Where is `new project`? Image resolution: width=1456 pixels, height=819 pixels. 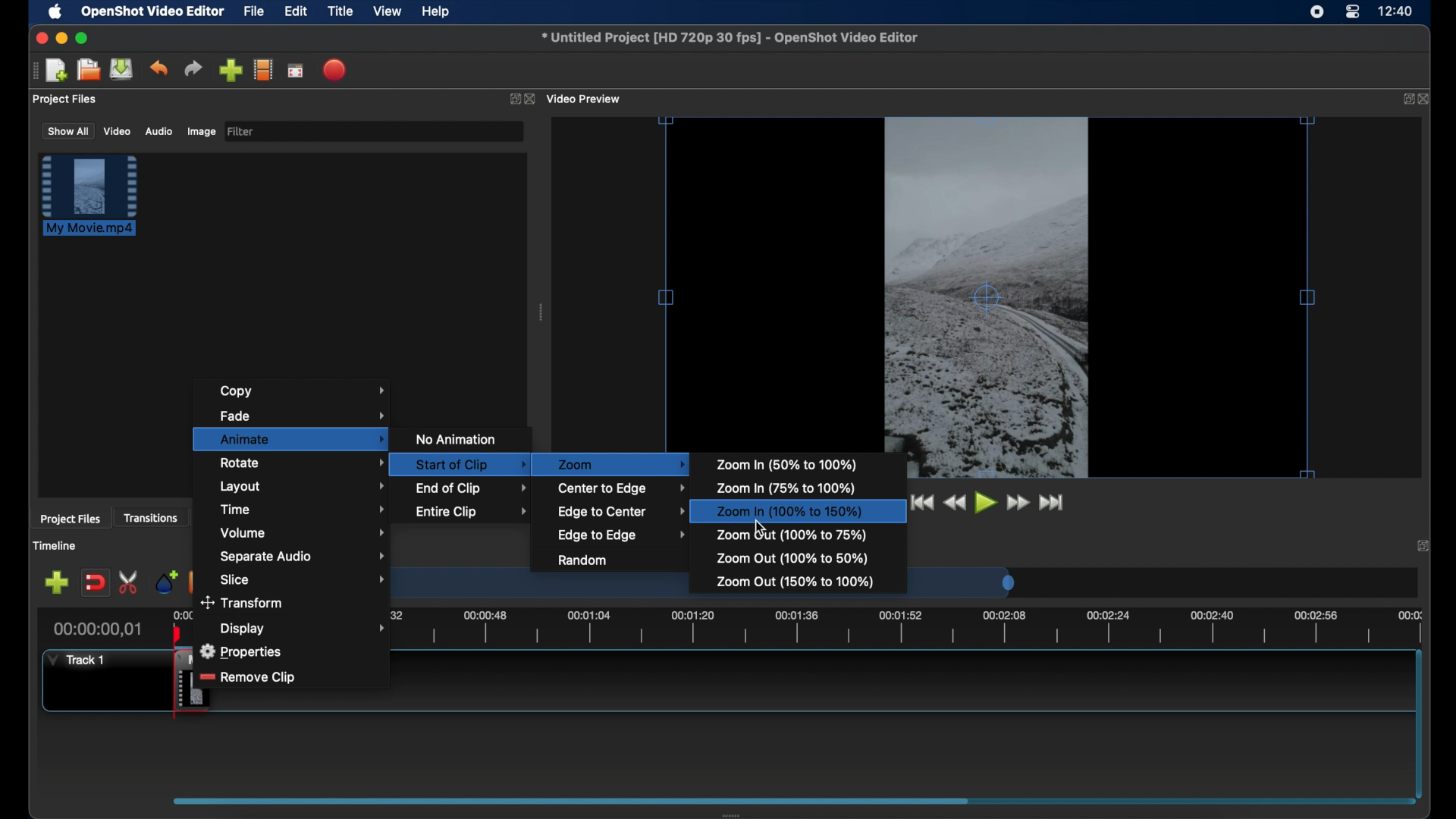 new project is located at coordinates (57, 71).